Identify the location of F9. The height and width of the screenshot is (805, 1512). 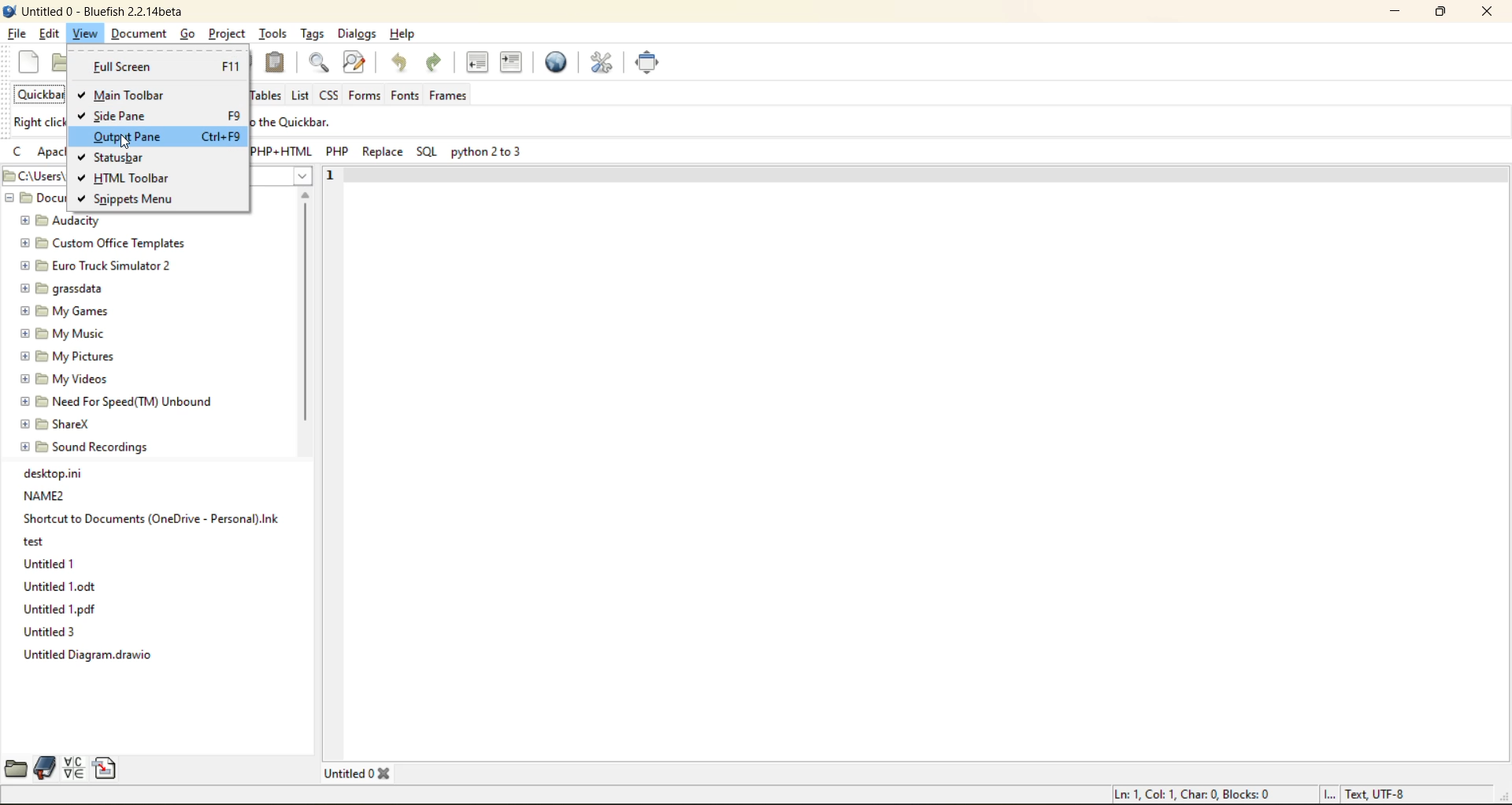
(235, 116).